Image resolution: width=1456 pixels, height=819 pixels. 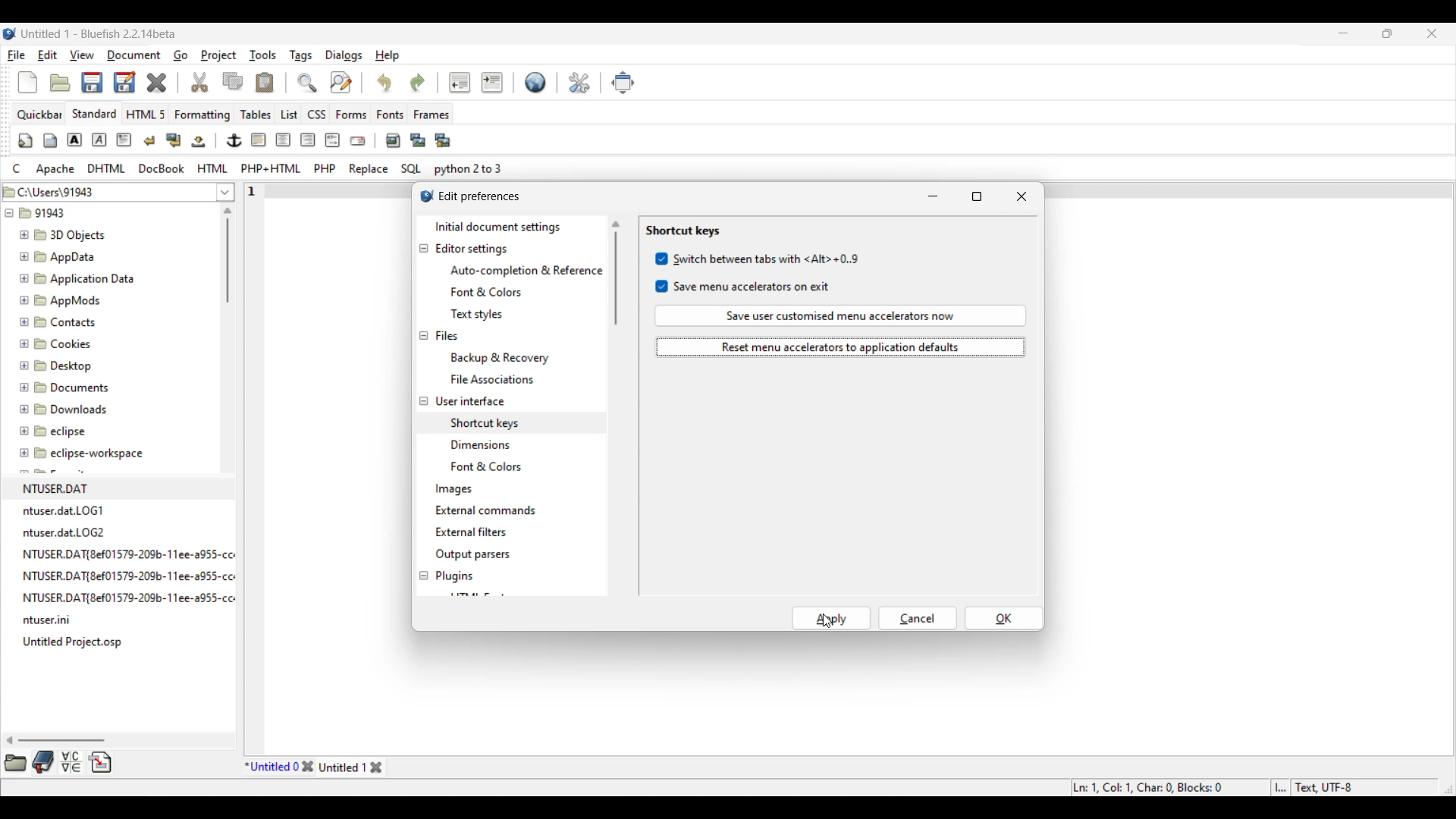 What do you see at coordinates (137, 576) in the screenshot?
I see `INTUSER.DAT{8¢f01579-209b-11ee-a955-cc:` at bounding box center [137, 576].